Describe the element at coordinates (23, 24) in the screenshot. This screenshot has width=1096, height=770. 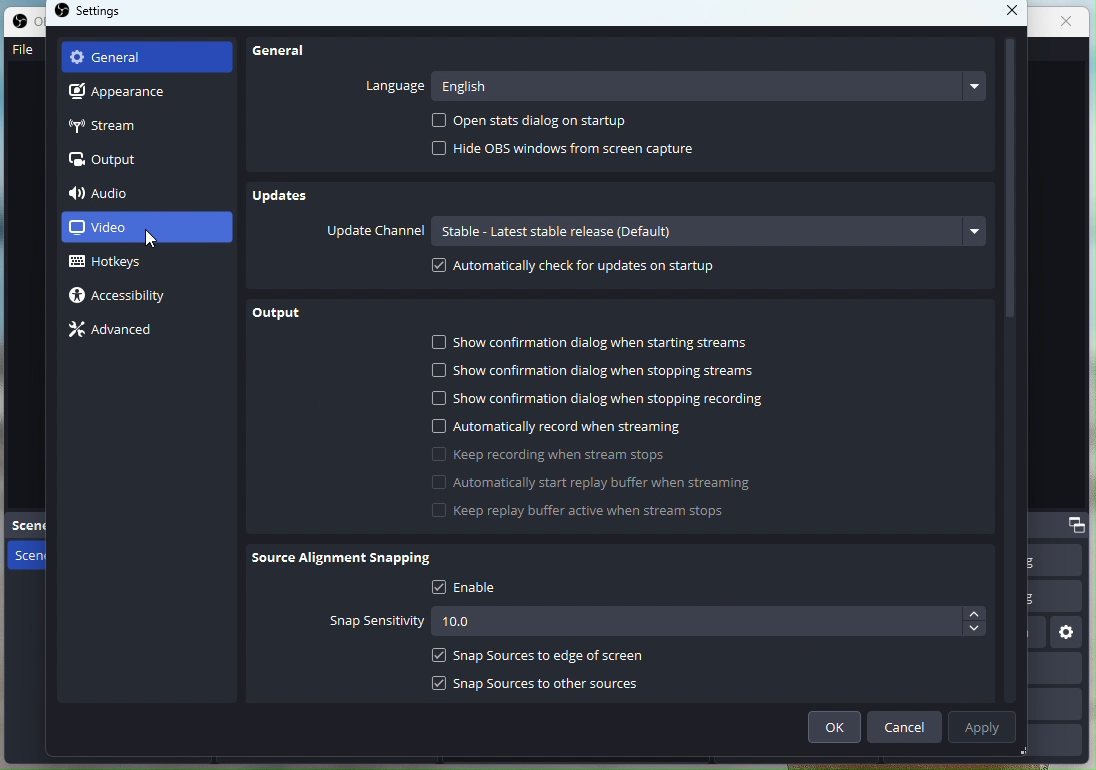
I see `OBS studio logo` at that location.